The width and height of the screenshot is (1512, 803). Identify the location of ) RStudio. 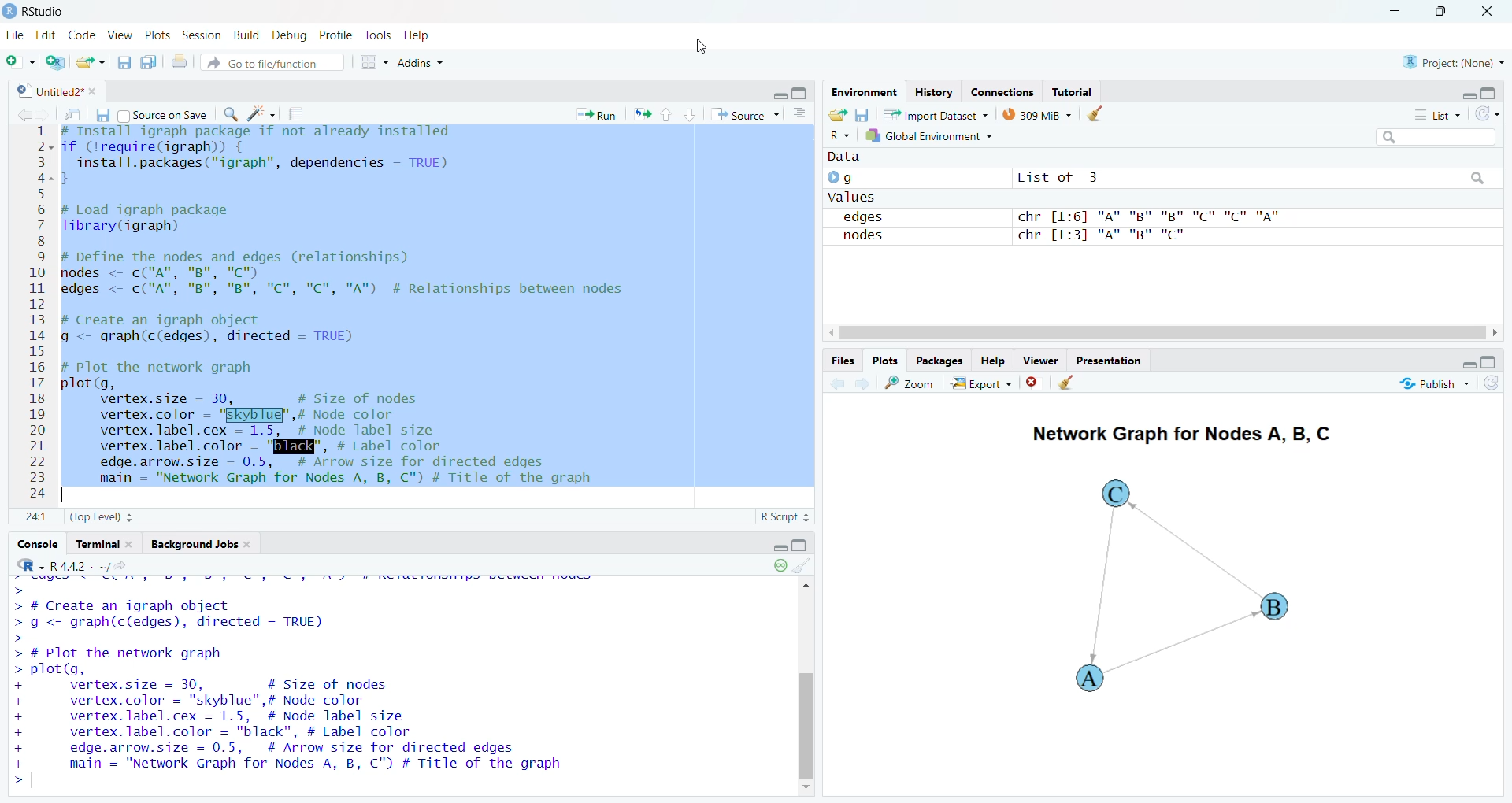
(38, 11).